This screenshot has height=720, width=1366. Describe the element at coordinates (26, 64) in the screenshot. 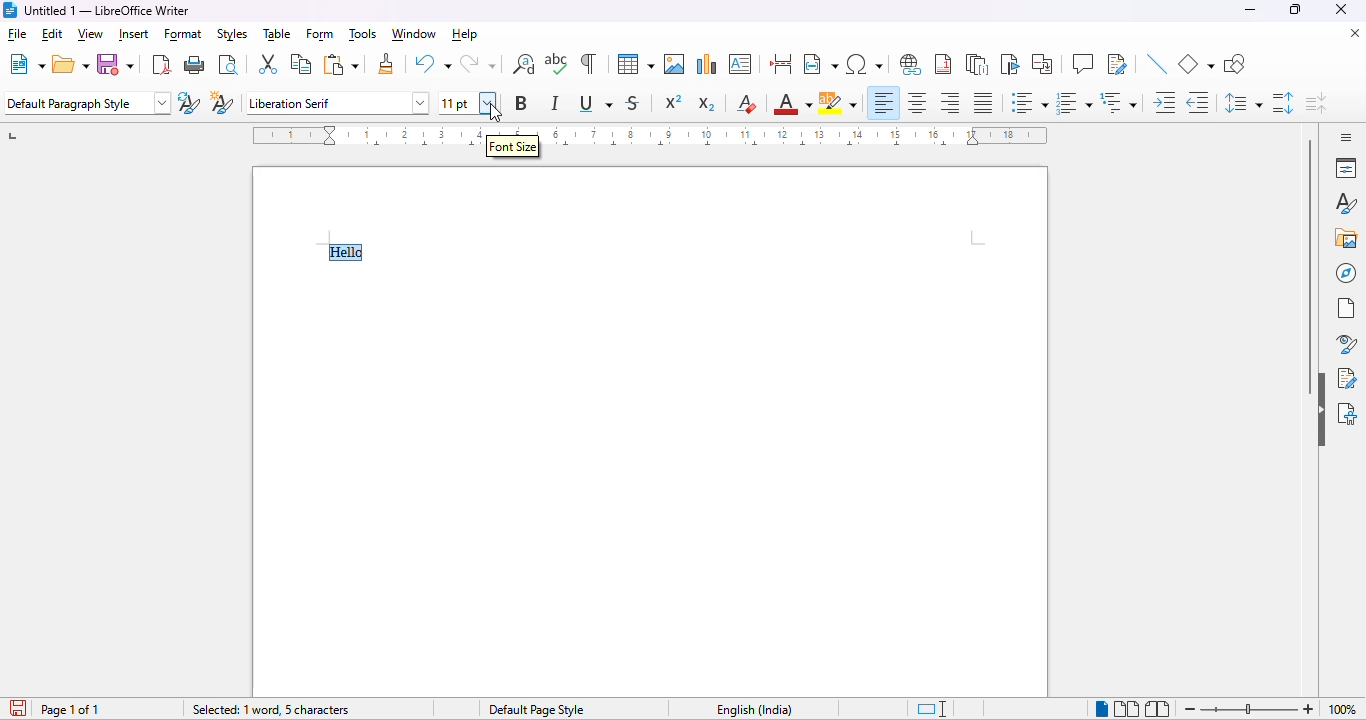

I see `new` at that location.